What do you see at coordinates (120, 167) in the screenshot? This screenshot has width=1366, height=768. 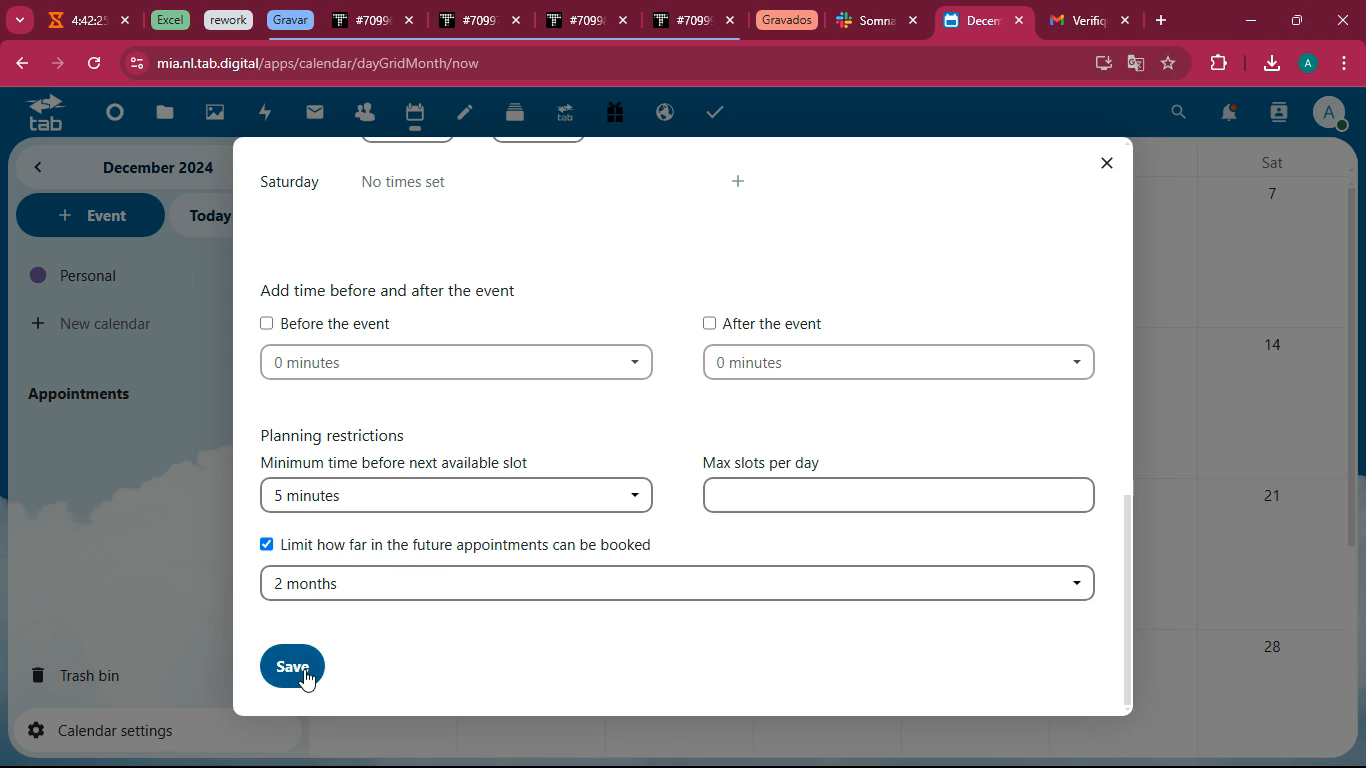 I see `month` at bounding box center [120, 167].